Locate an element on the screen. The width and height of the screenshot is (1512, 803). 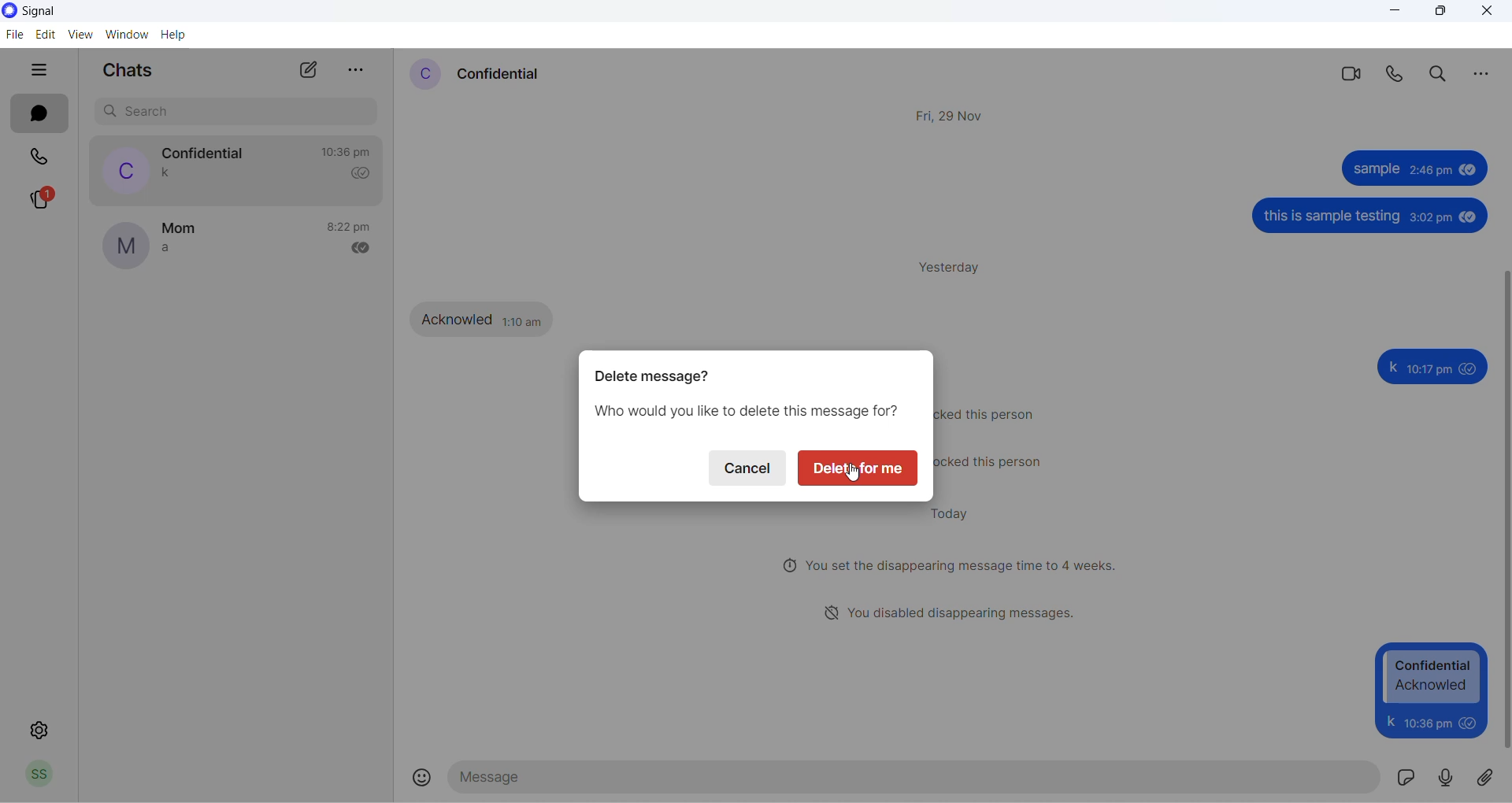
cancel delete is located at coordinates (740, 470).